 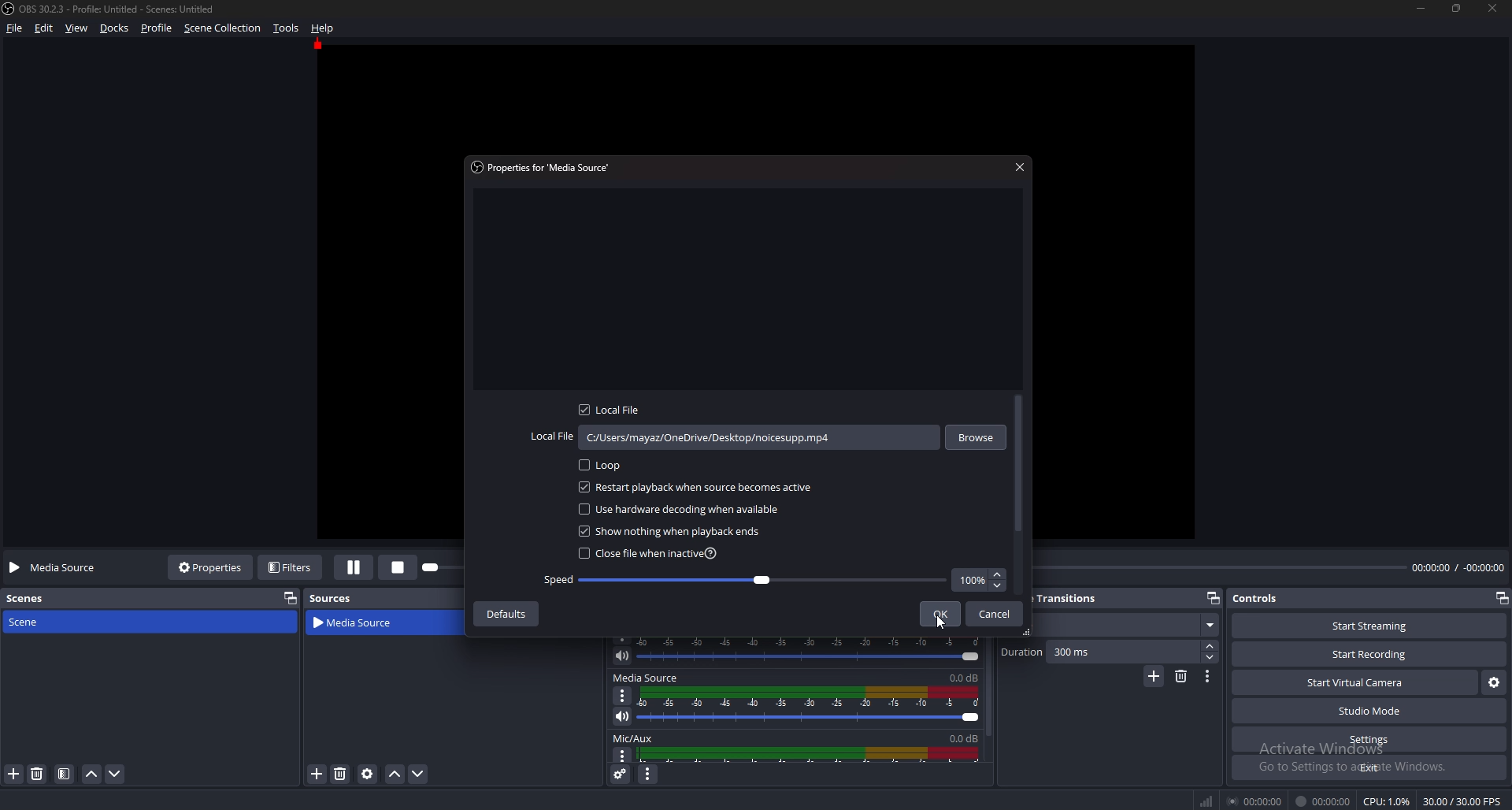 I want to click on Options, so click(x=623, y=695).